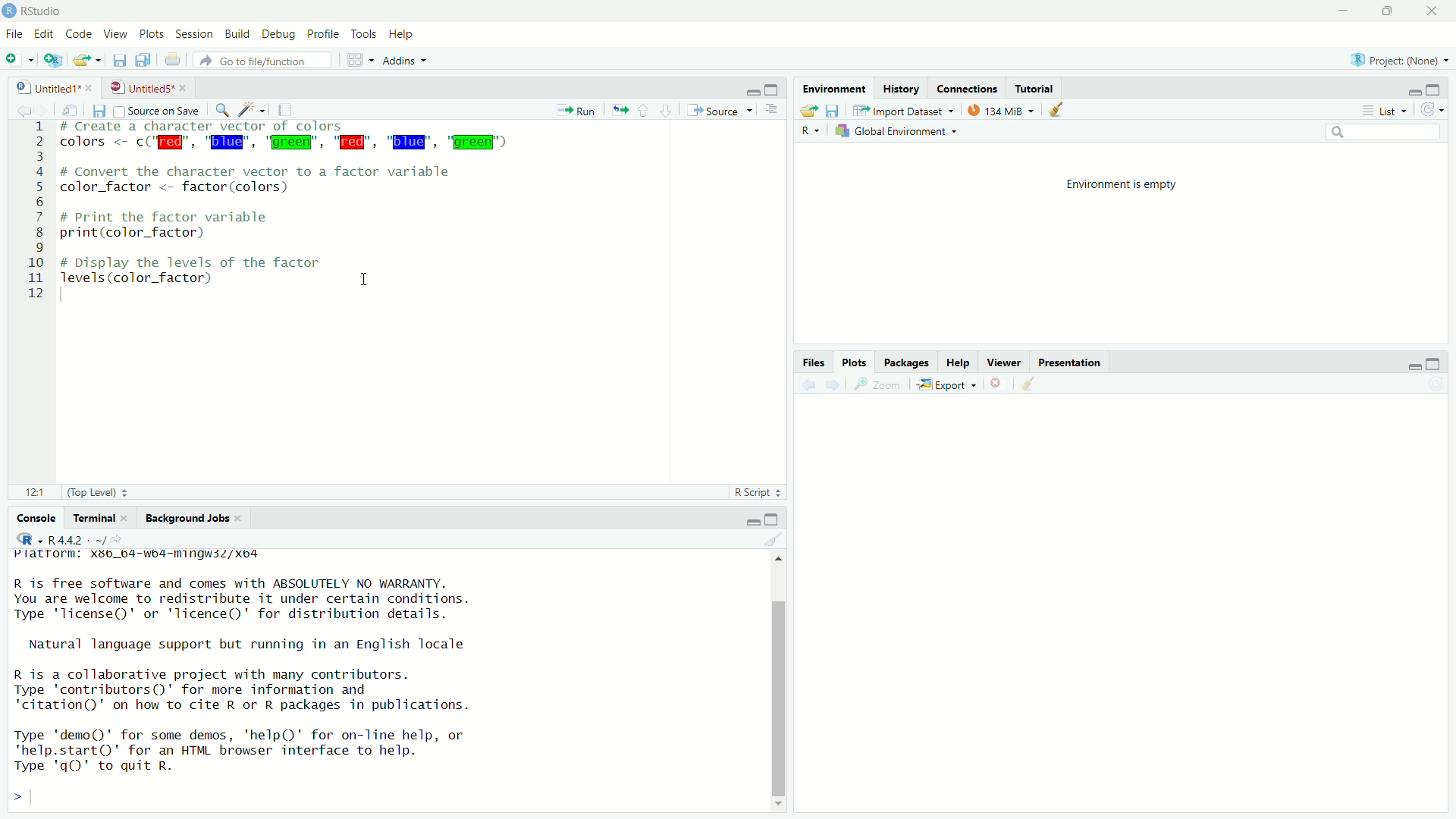  Describe the element at coordinates (9, 11) in the screenshot. I see `logo` at that location.